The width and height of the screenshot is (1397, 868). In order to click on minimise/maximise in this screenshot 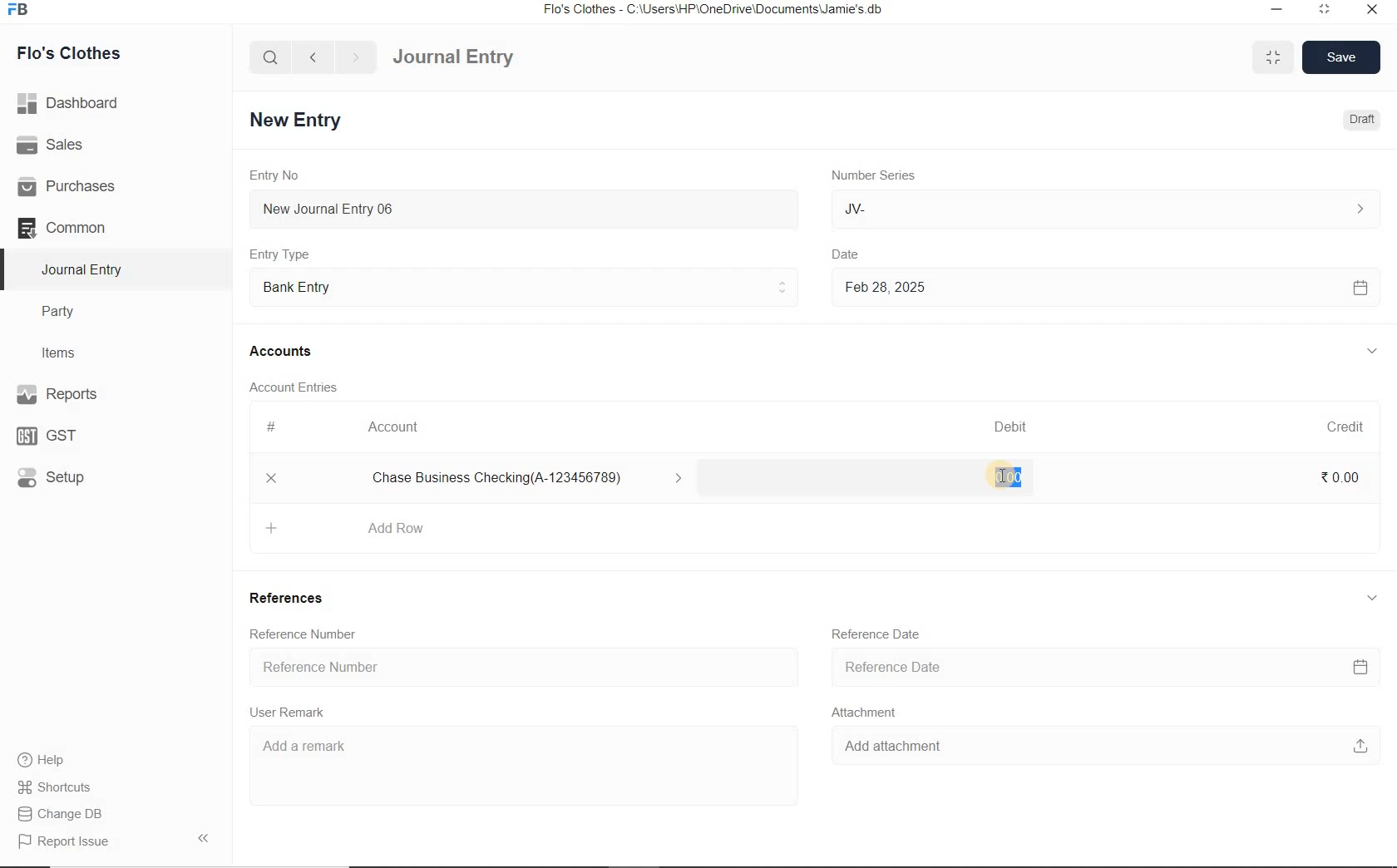, I will do `click(1274, 58)`.